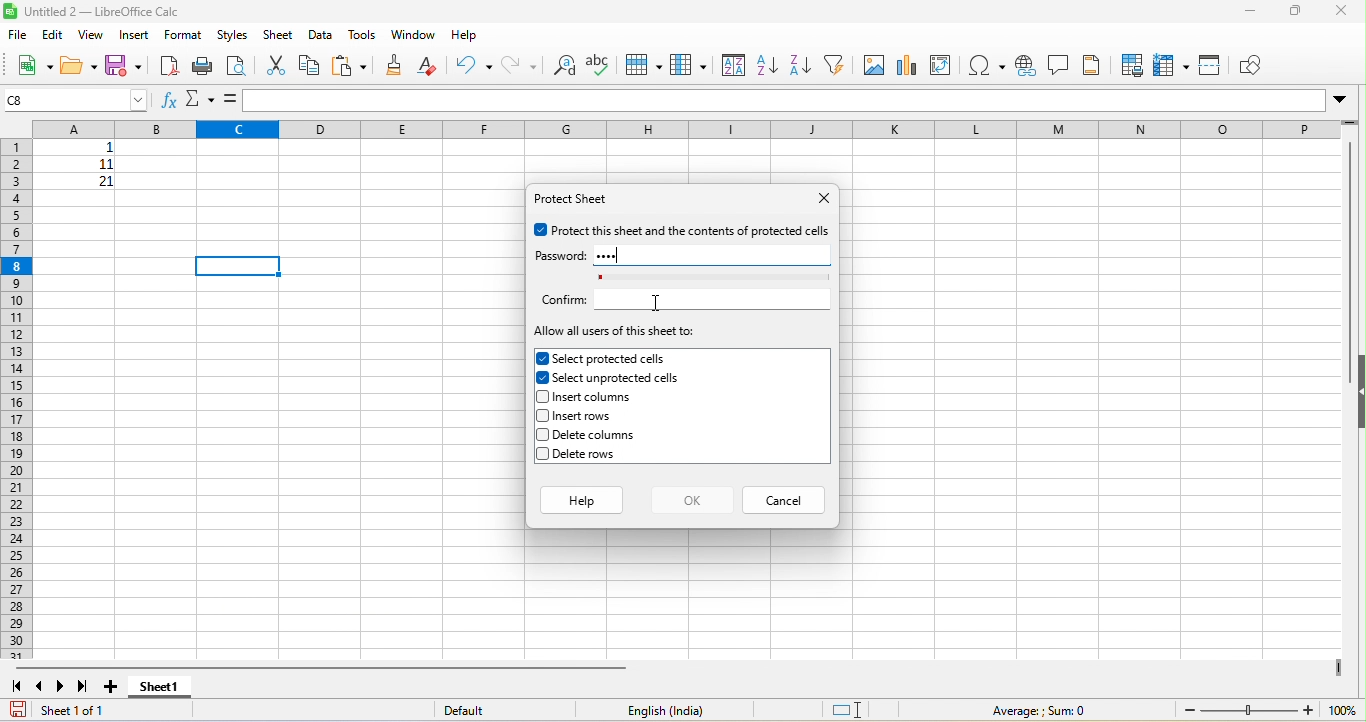 The image size is (1366, 722). Describe the element at coordinates (19, 398) in the screenshot. I see `row numbers` at that location.